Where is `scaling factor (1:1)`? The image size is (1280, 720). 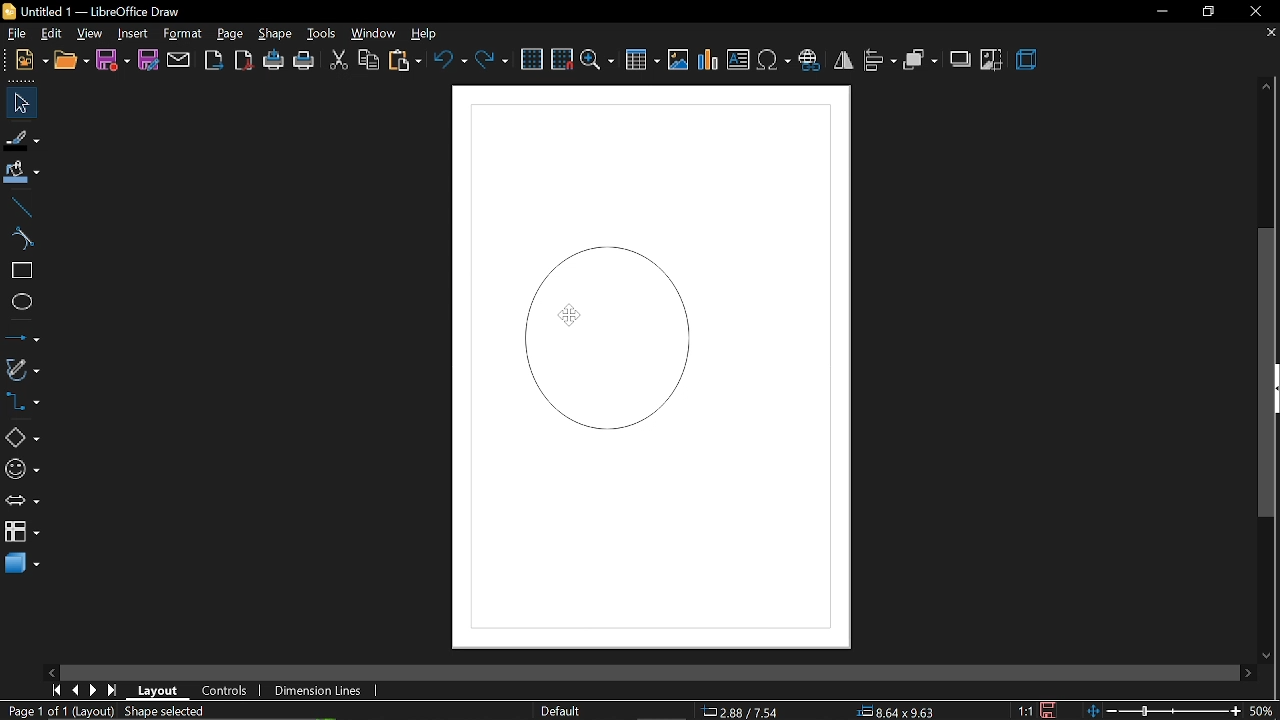 scaling factor (1:1) is located at coordinates (1027, 711).